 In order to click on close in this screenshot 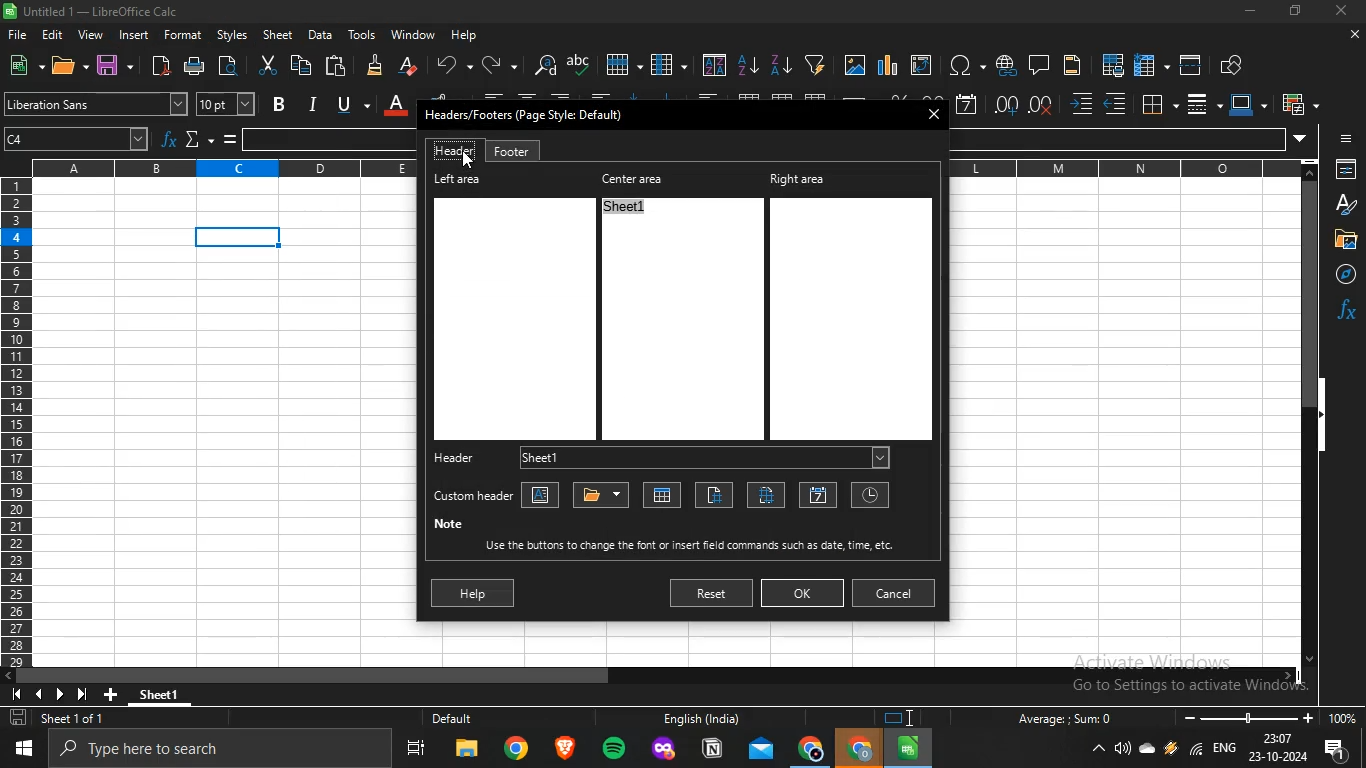, I will do `click(1353, 36)`.